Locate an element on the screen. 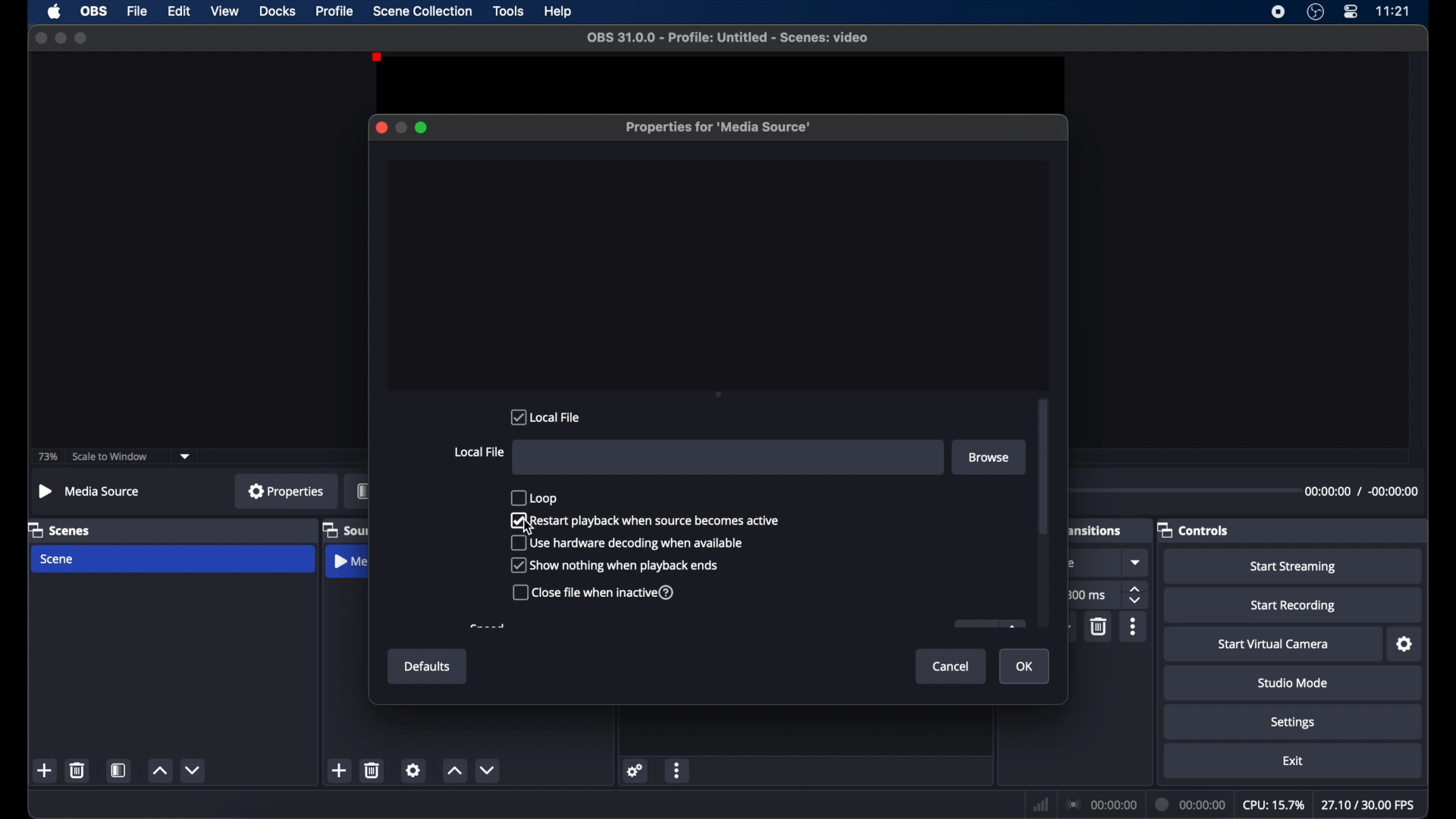 The image size is (1456, 819). profile is located at coordinates (335, 11).